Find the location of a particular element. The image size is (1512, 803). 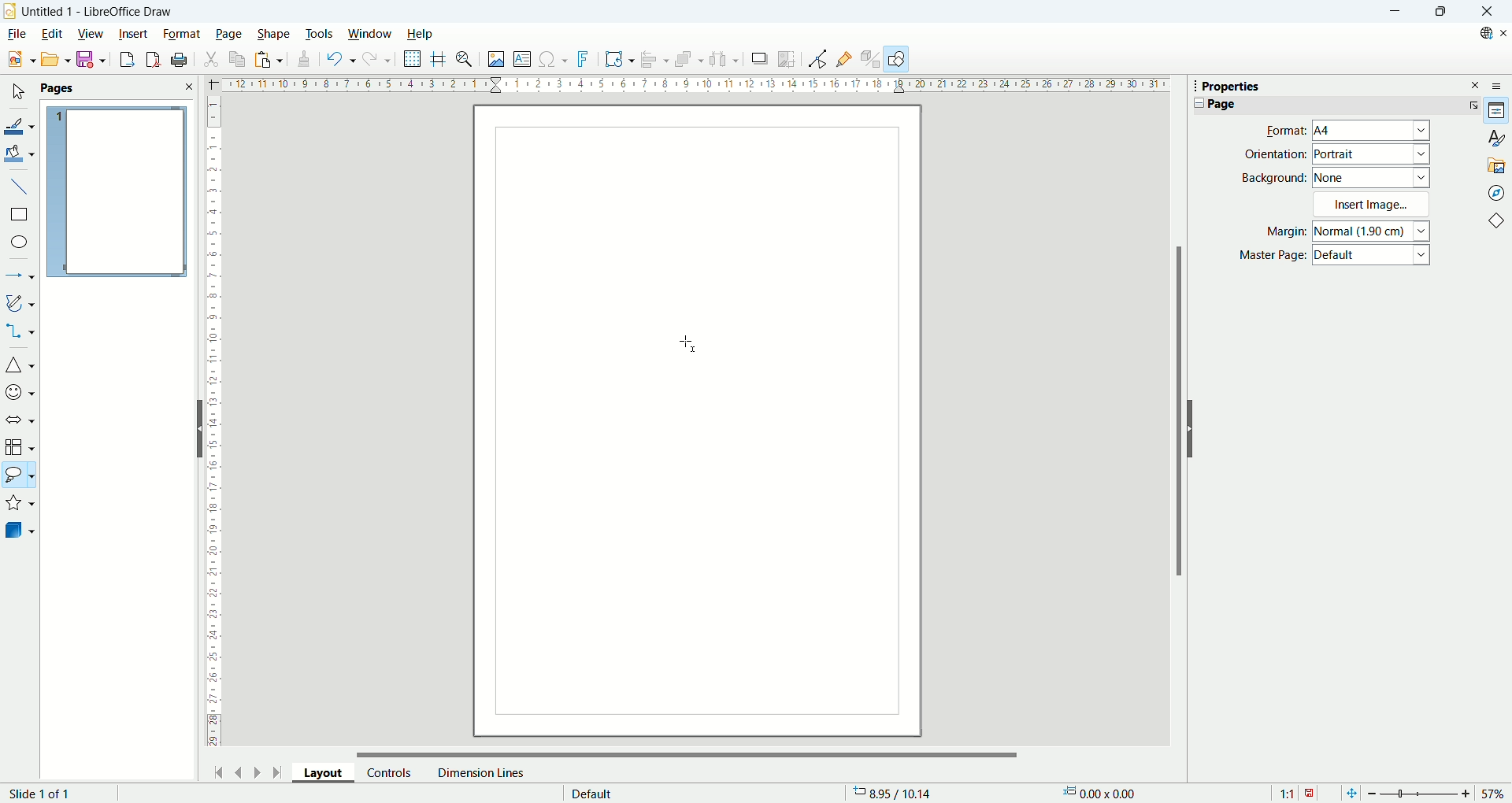

default is located at coordinates (592, 791).